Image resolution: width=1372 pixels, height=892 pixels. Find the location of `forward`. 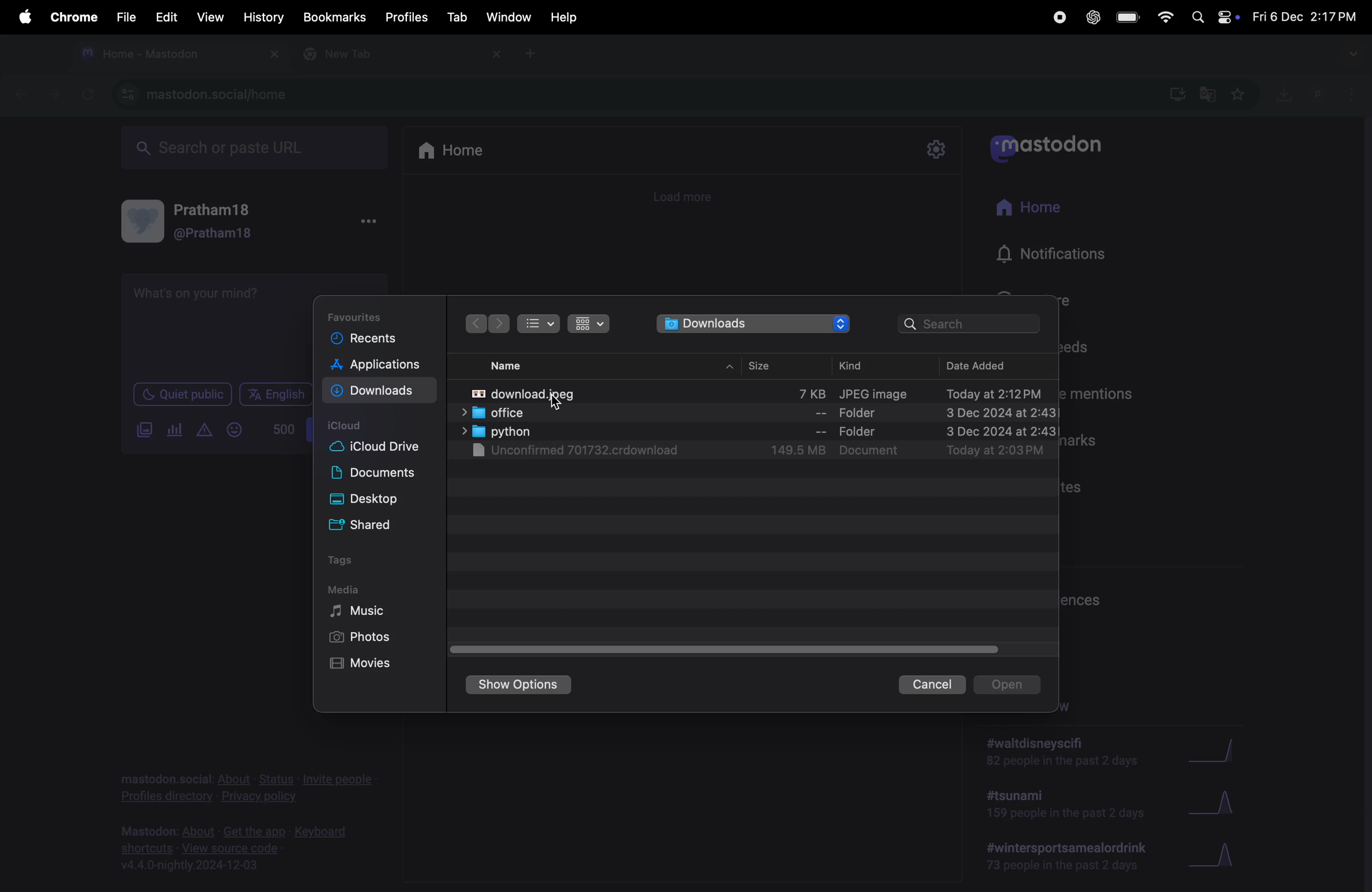

forward is located at coordinates (500, 325).